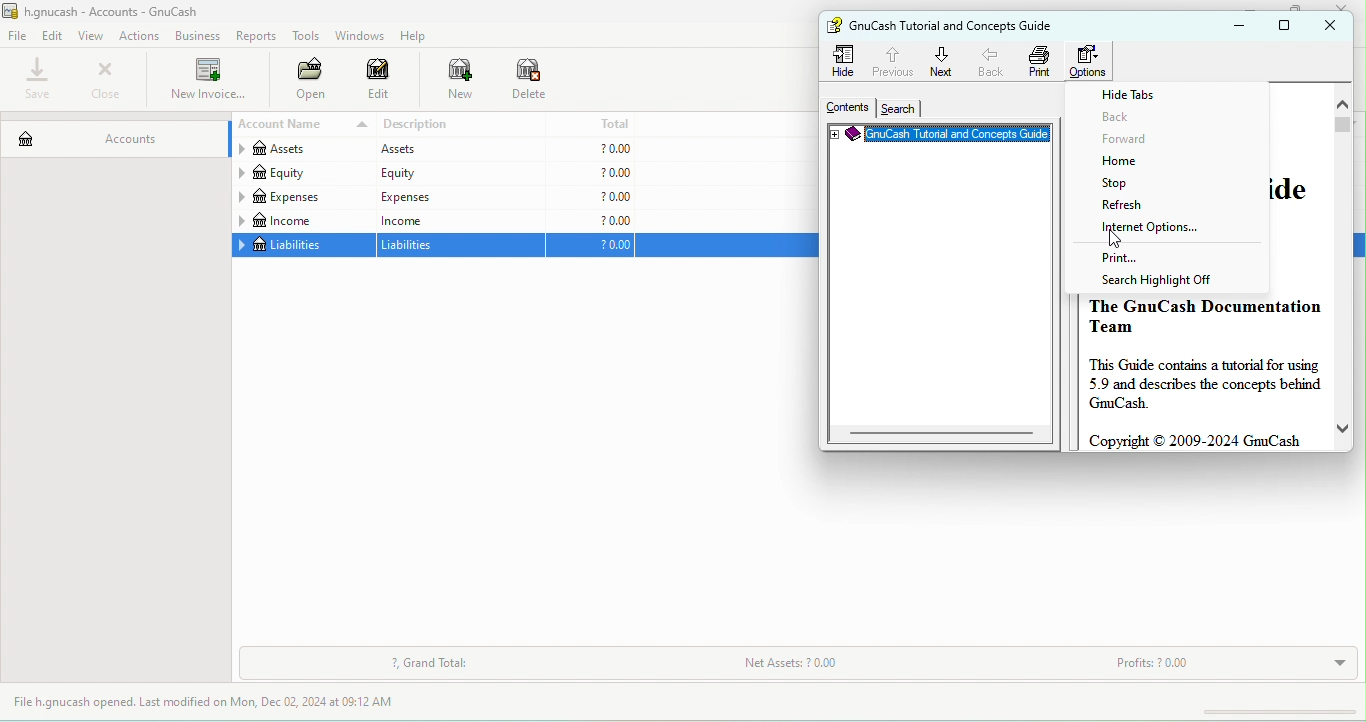  Describe the element at coordinates (1156, 281) in the screenshot. I see `search highlight off` at that location.